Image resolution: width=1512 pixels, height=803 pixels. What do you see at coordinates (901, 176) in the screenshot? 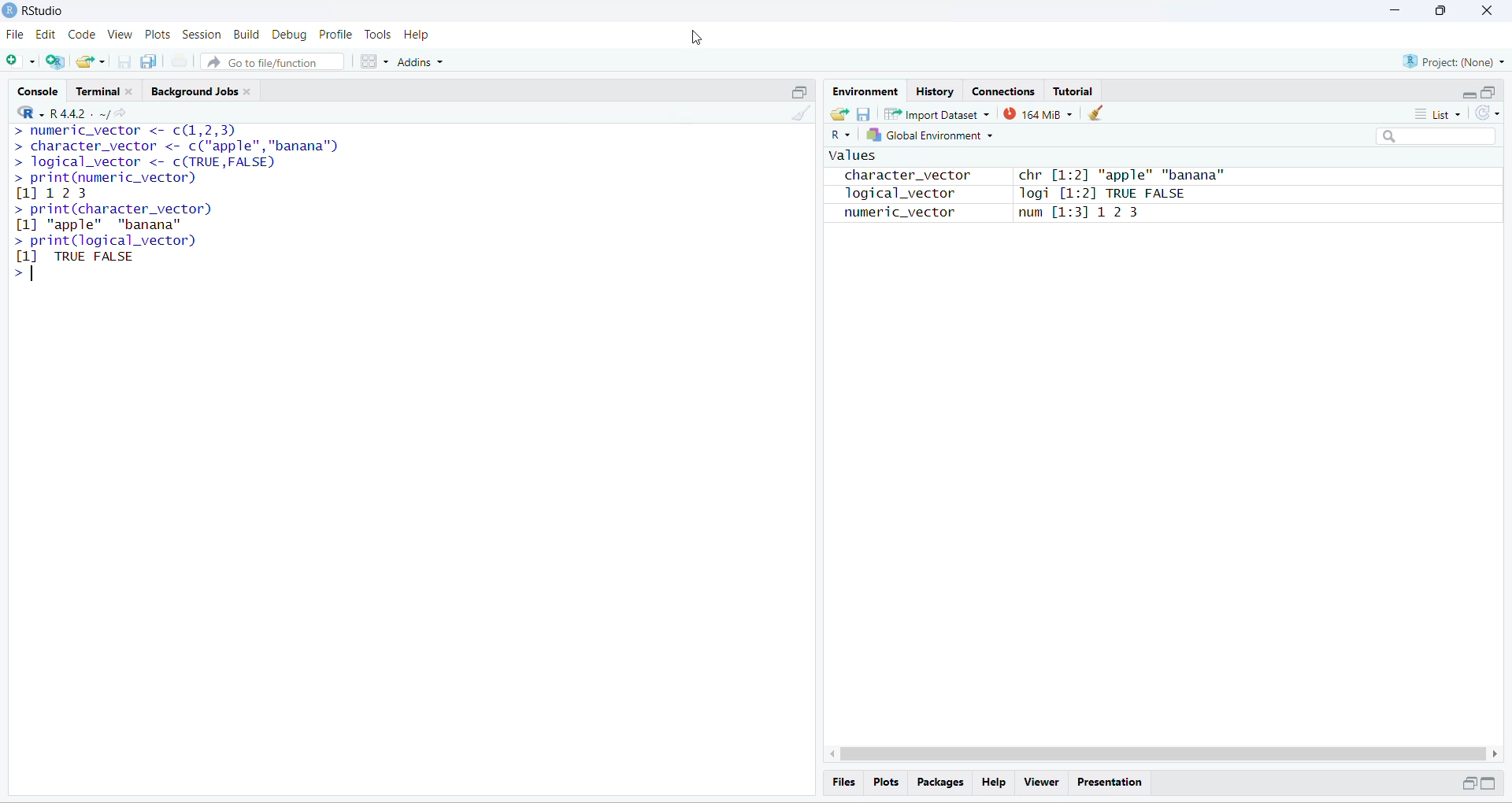
I see `character_vector` at bounding box center [901, 176].